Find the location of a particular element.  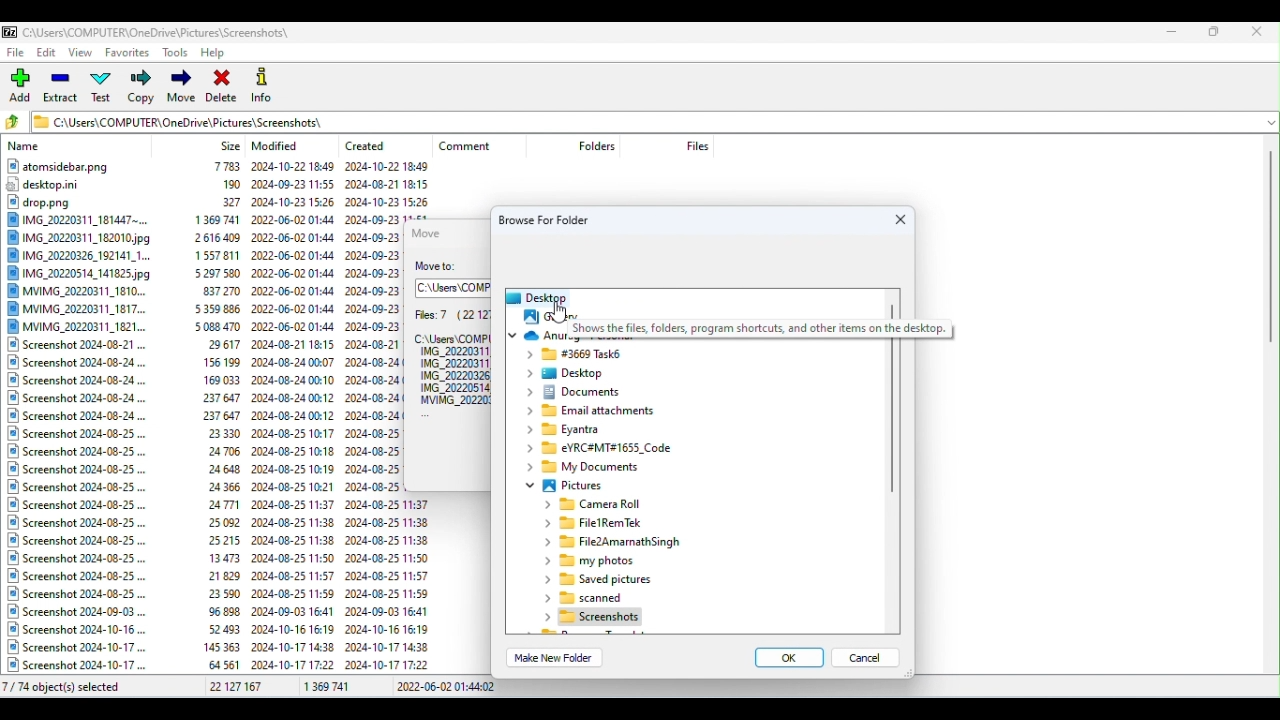

Files is located at coordinates (204, 417).